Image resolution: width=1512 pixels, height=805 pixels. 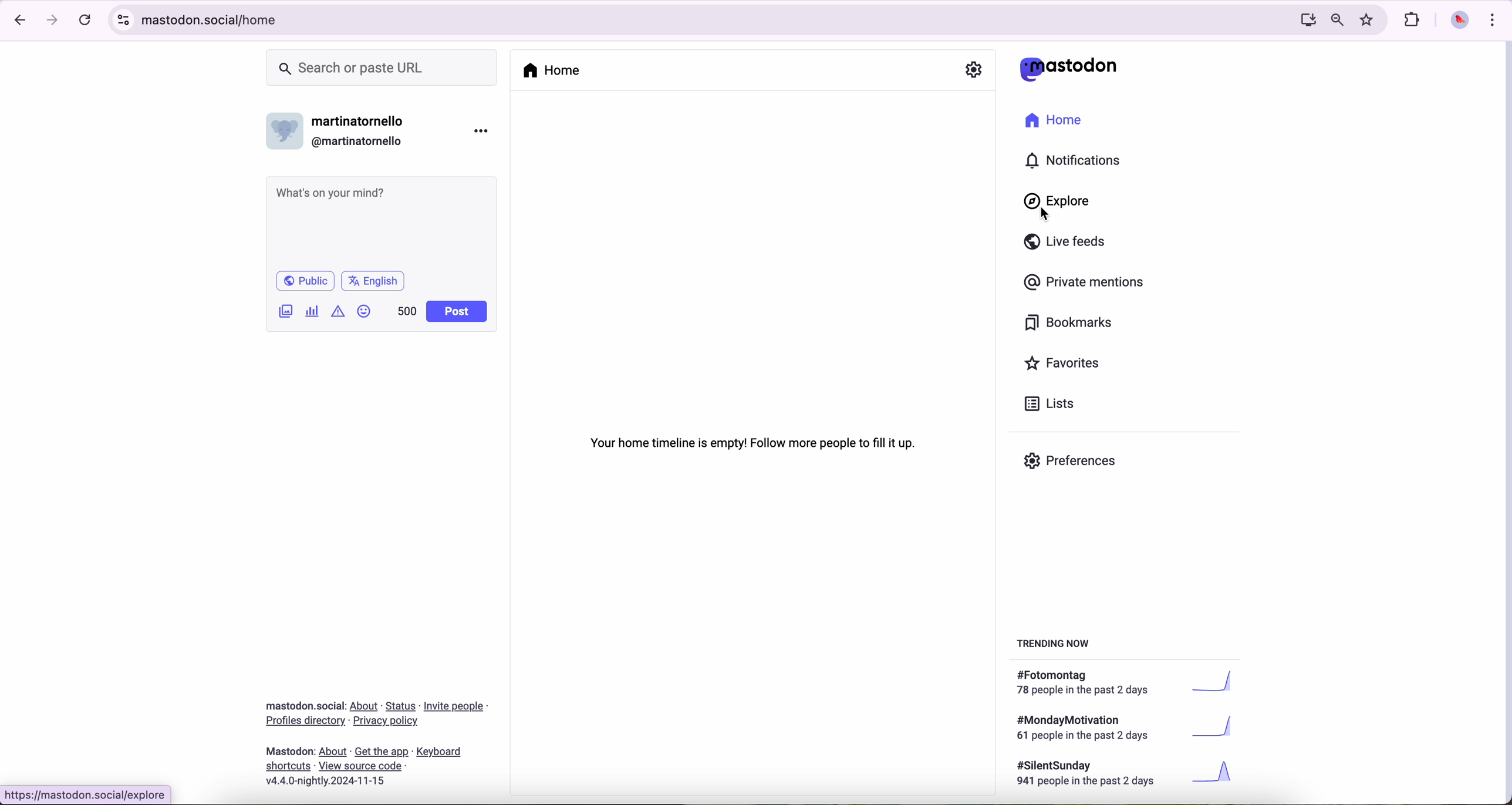 What do you see at coordinates (315, 311) in the screenshot?
I see `charts` at bounding box center [315, 311].